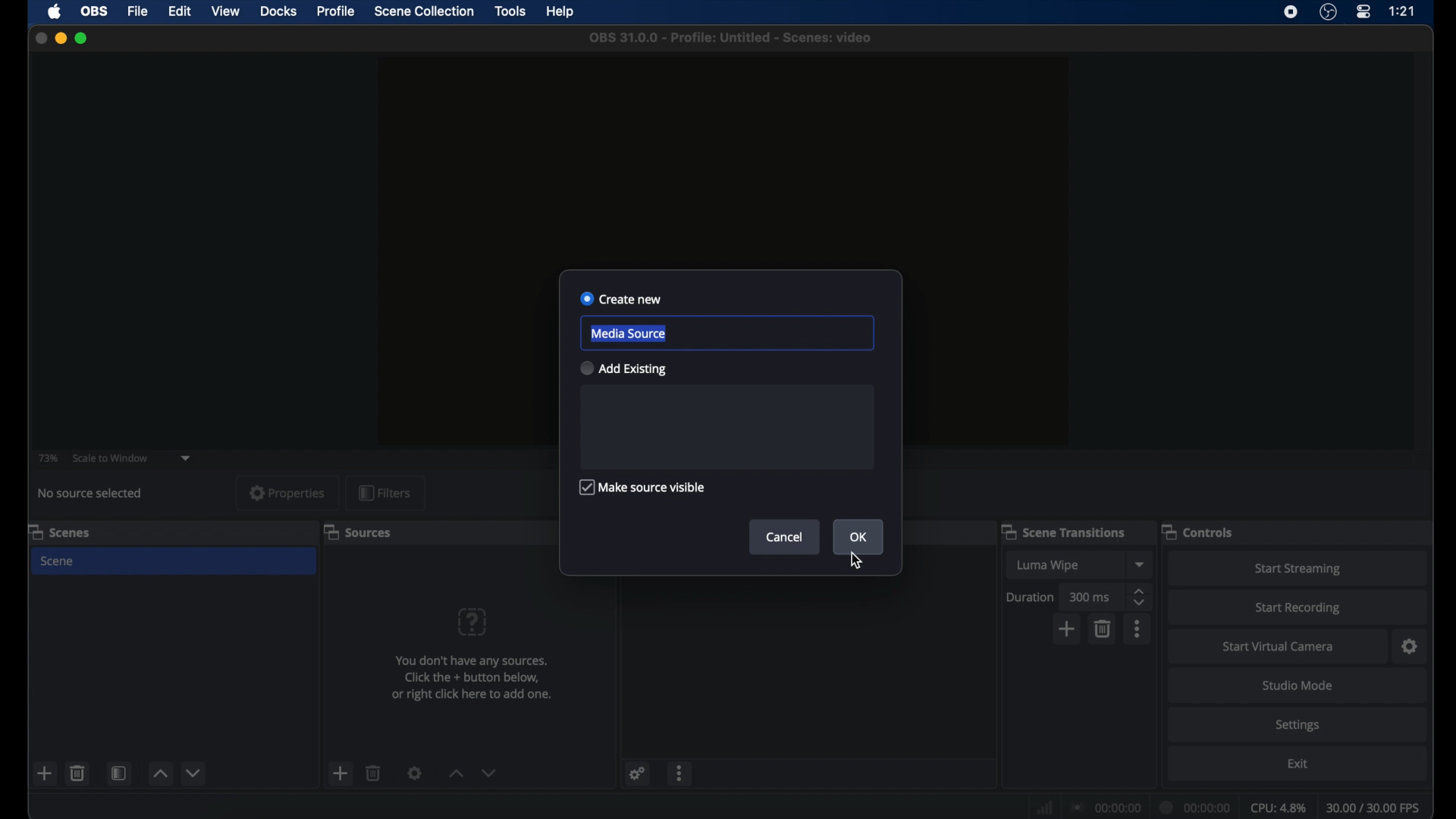 The image size is (1456, 819). What do you see at coordinates (187, 457) in the screenshot?
I see `dropdown` at bounding box center [187, 457].